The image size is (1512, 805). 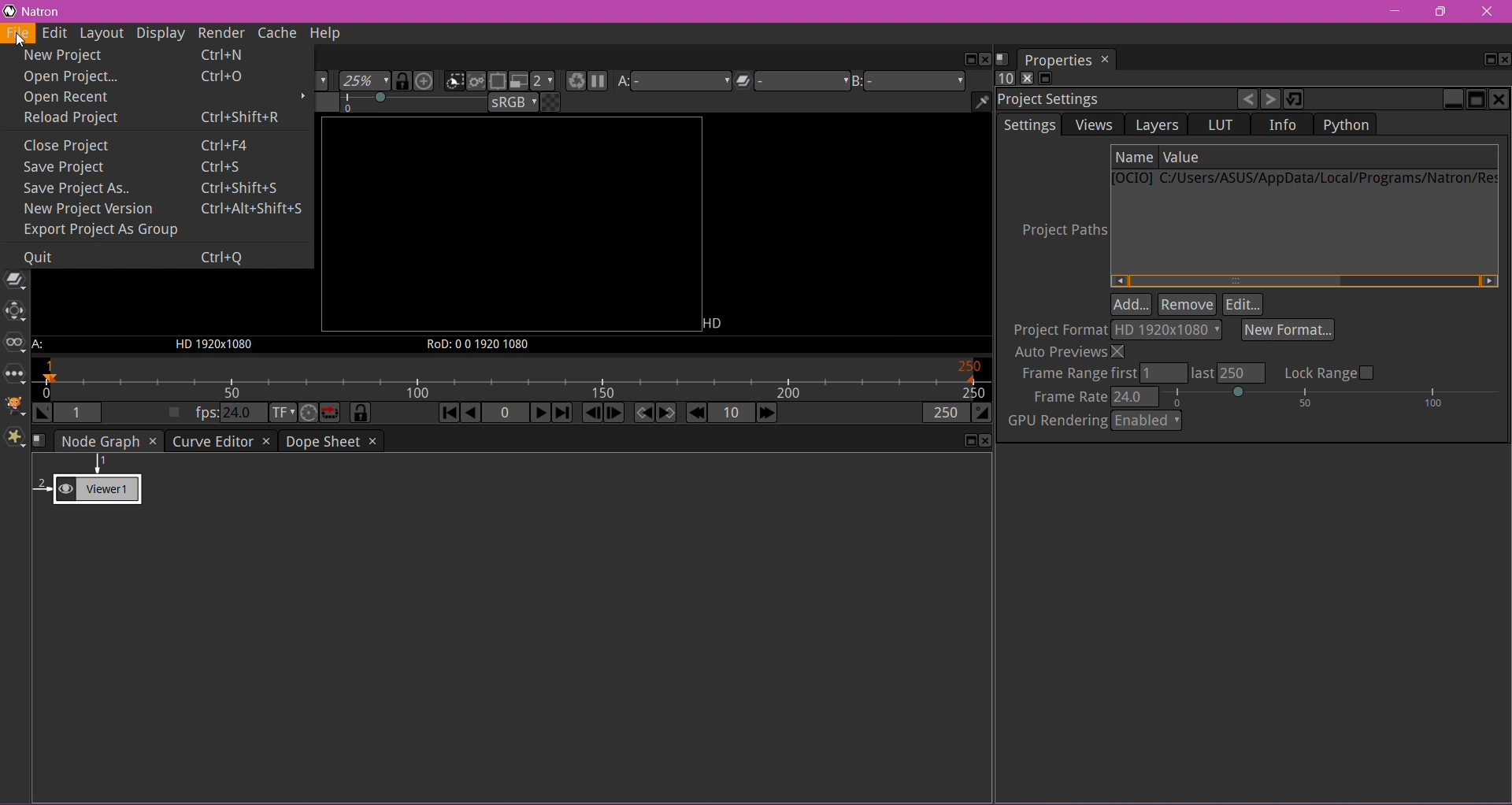 What do you see at coordinates (1245, 99) in the screenshot?
I see `Undo the last change made to this operator` at bounding box center [1245, 99].